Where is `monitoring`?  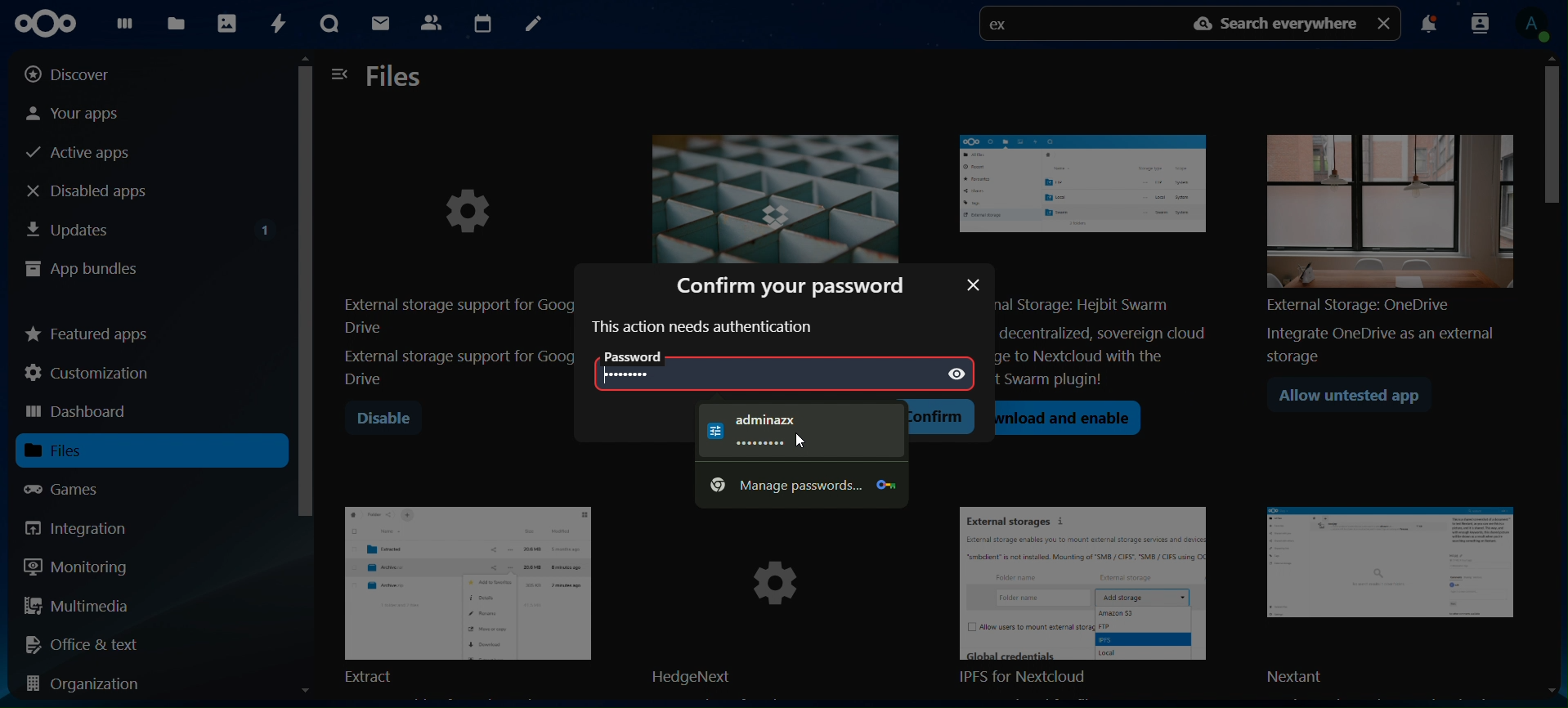
monitoring is located at coordinates (77, 566).